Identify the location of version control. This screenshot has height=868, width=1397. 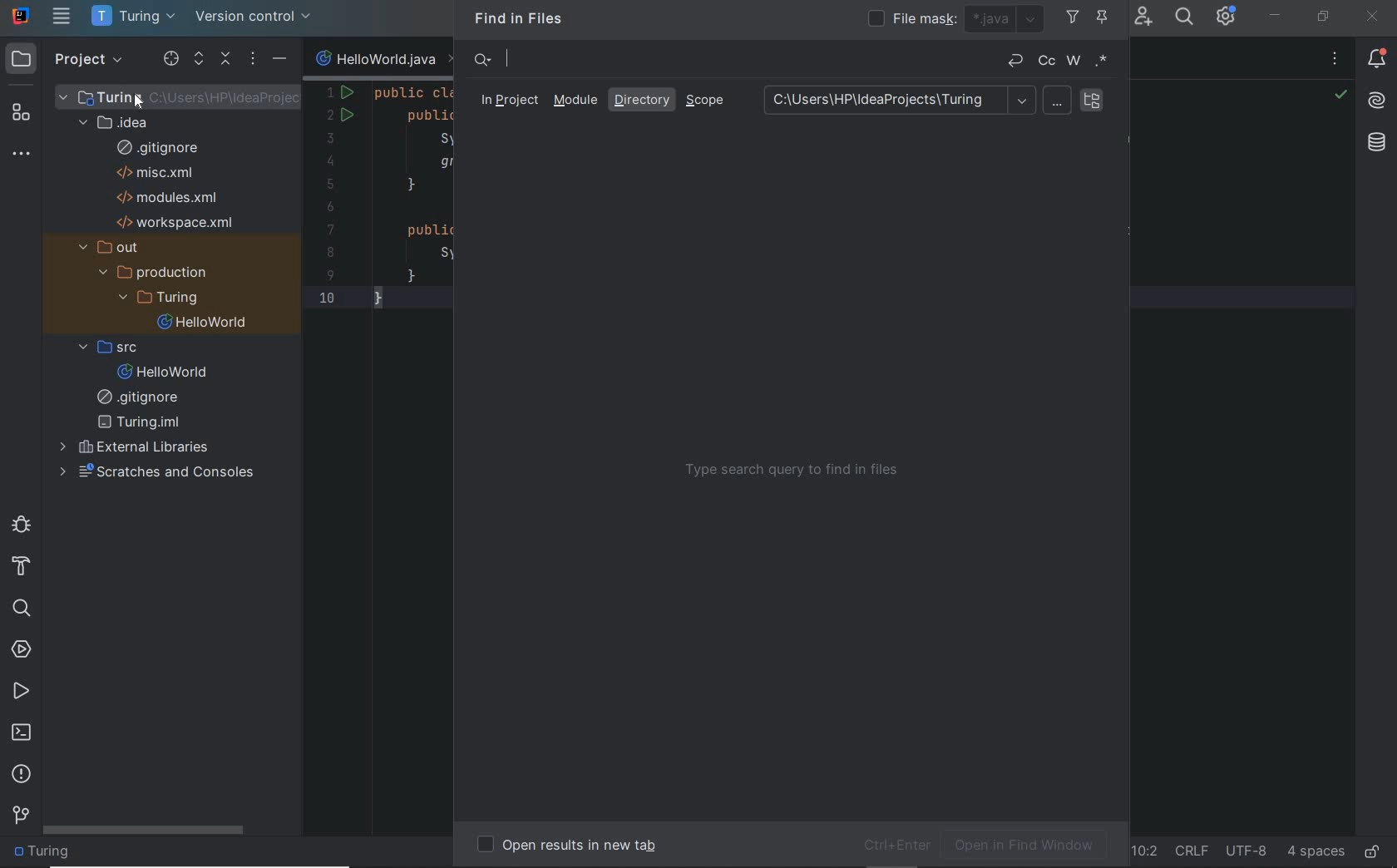
(259, 17).